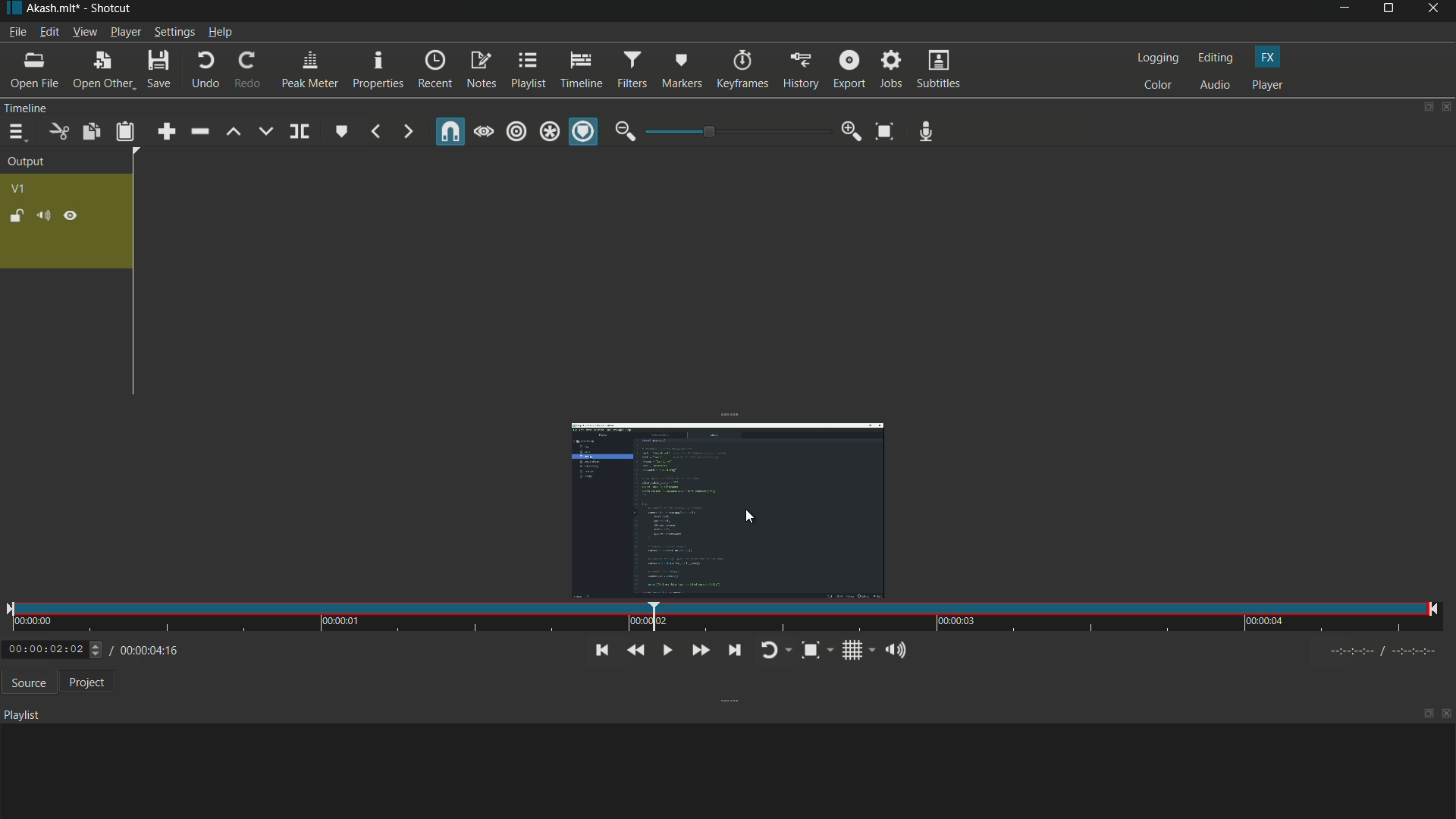  Describe the element at coordinates (234, 132) in the screenshot. I see `lift` at that location.